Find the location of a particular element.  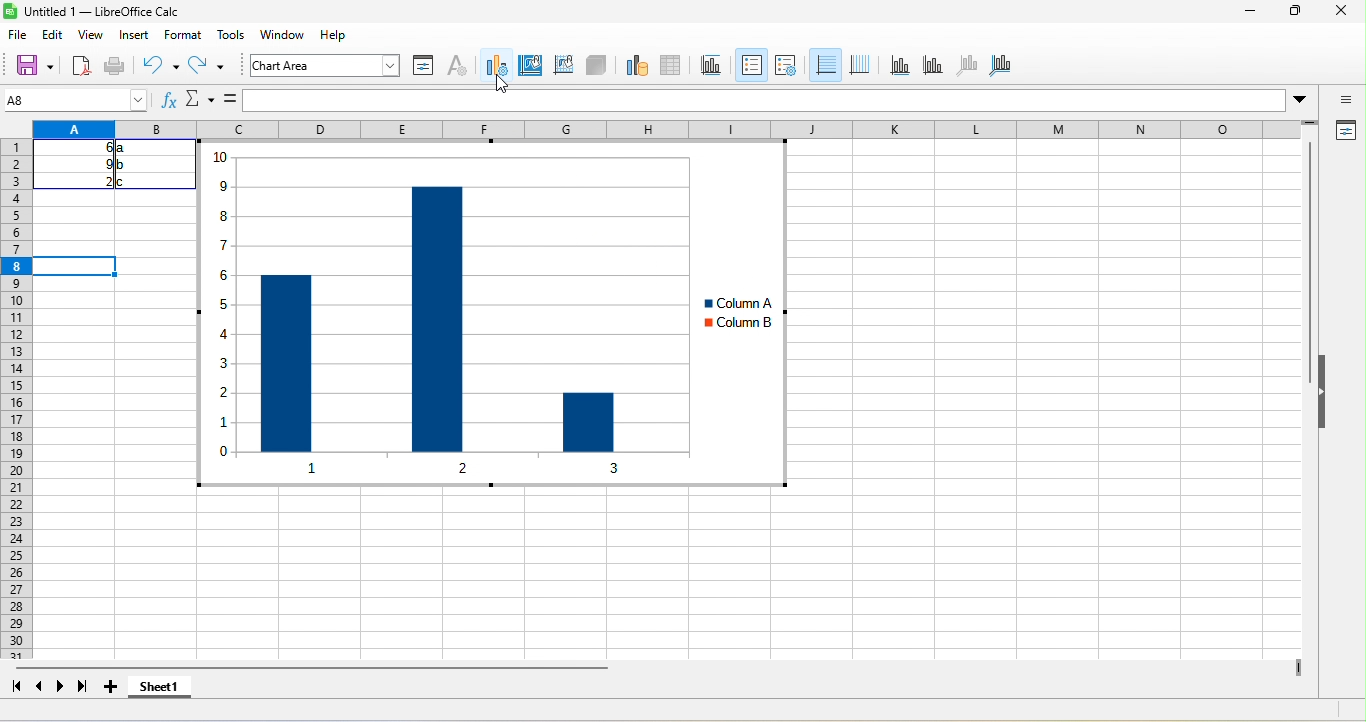

data table is located at coordinates (672, 67).